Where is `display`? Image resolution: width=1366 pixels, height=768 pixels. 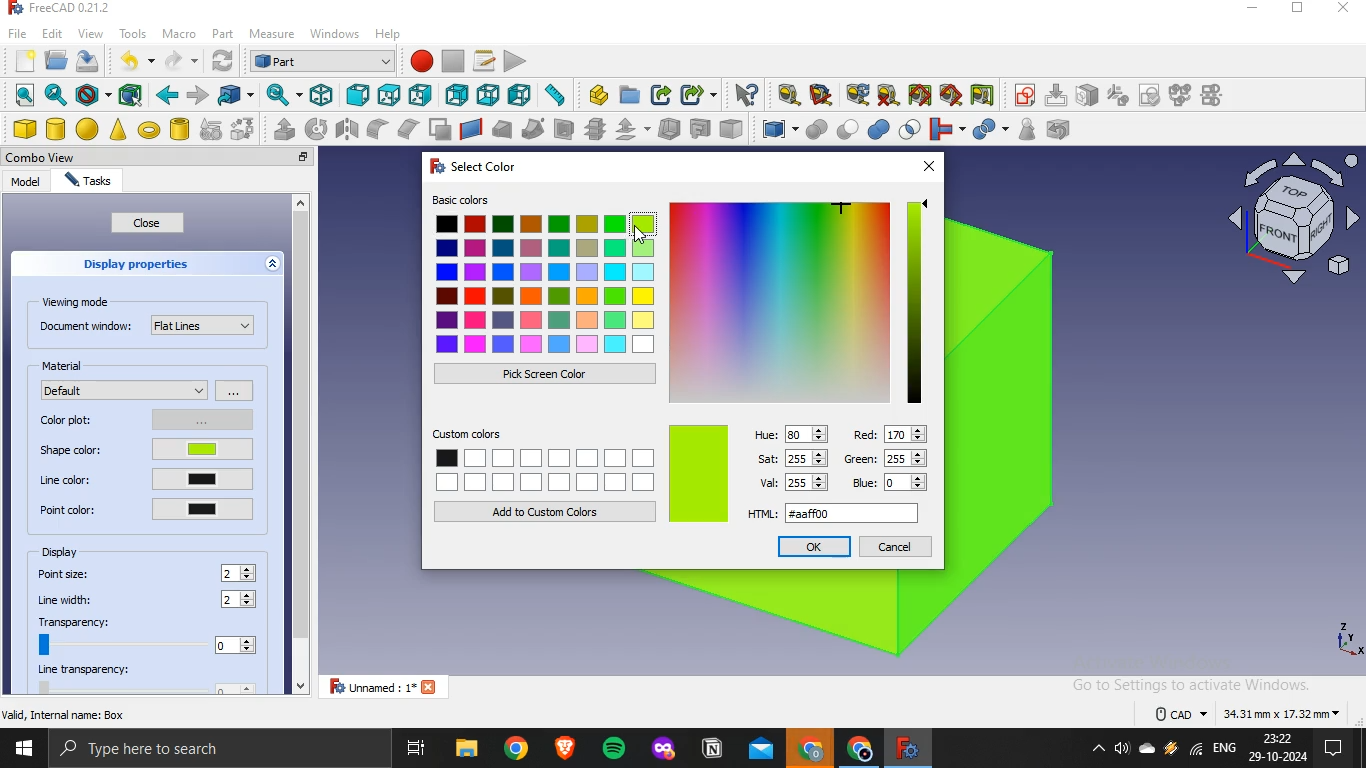 display is located at coordinates (63, 552).